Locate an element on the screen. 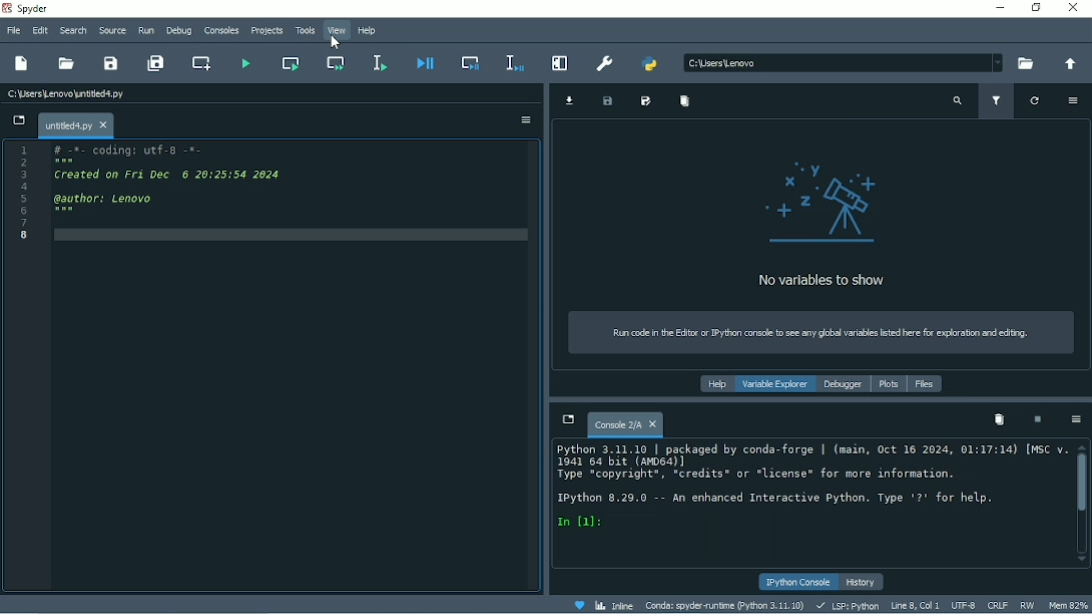 The image size is (1092, 614). LSP is located at coordinates (847, 605).